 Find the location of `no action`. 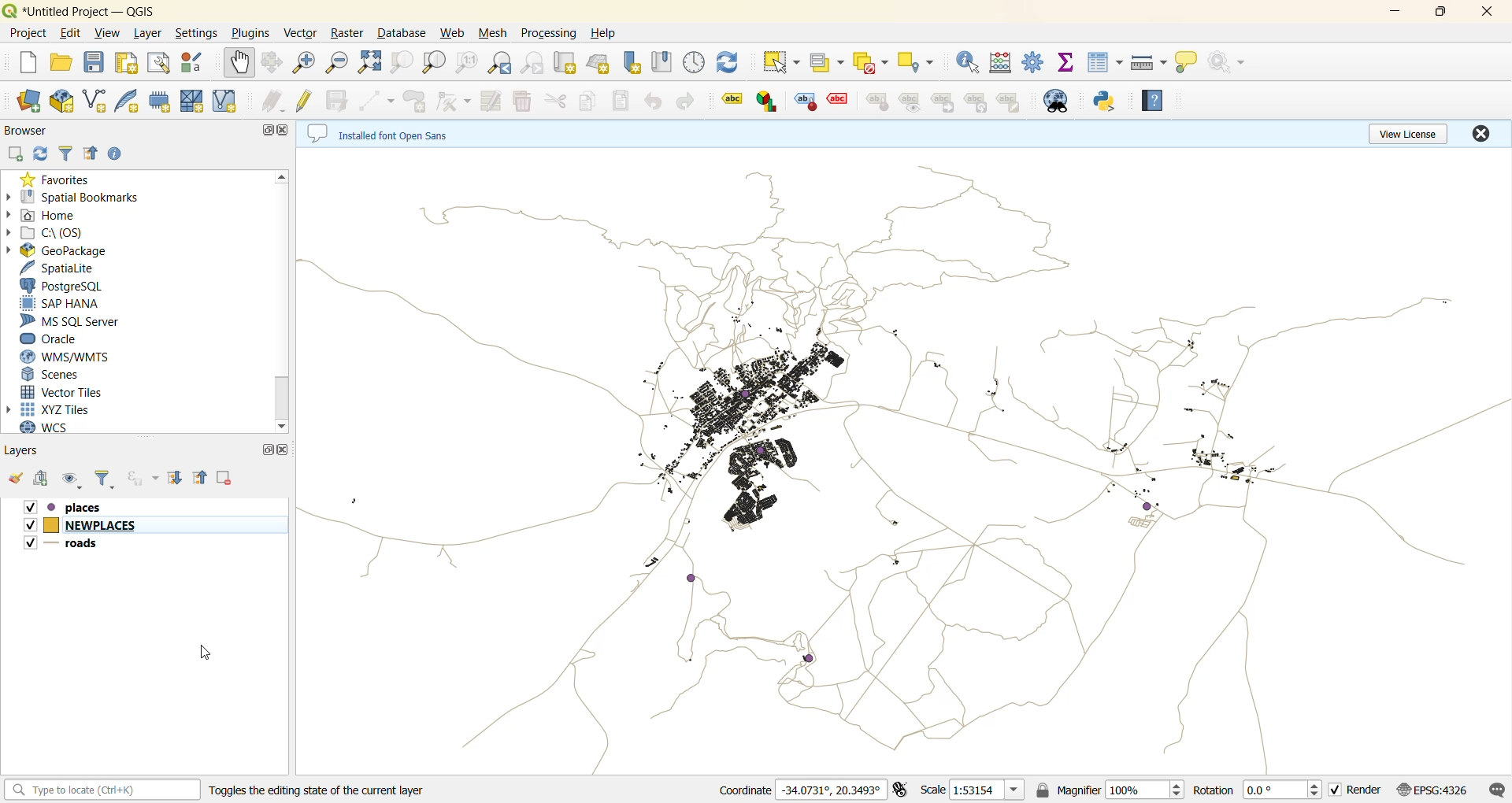

no action is located at coordinates (1231, 64).